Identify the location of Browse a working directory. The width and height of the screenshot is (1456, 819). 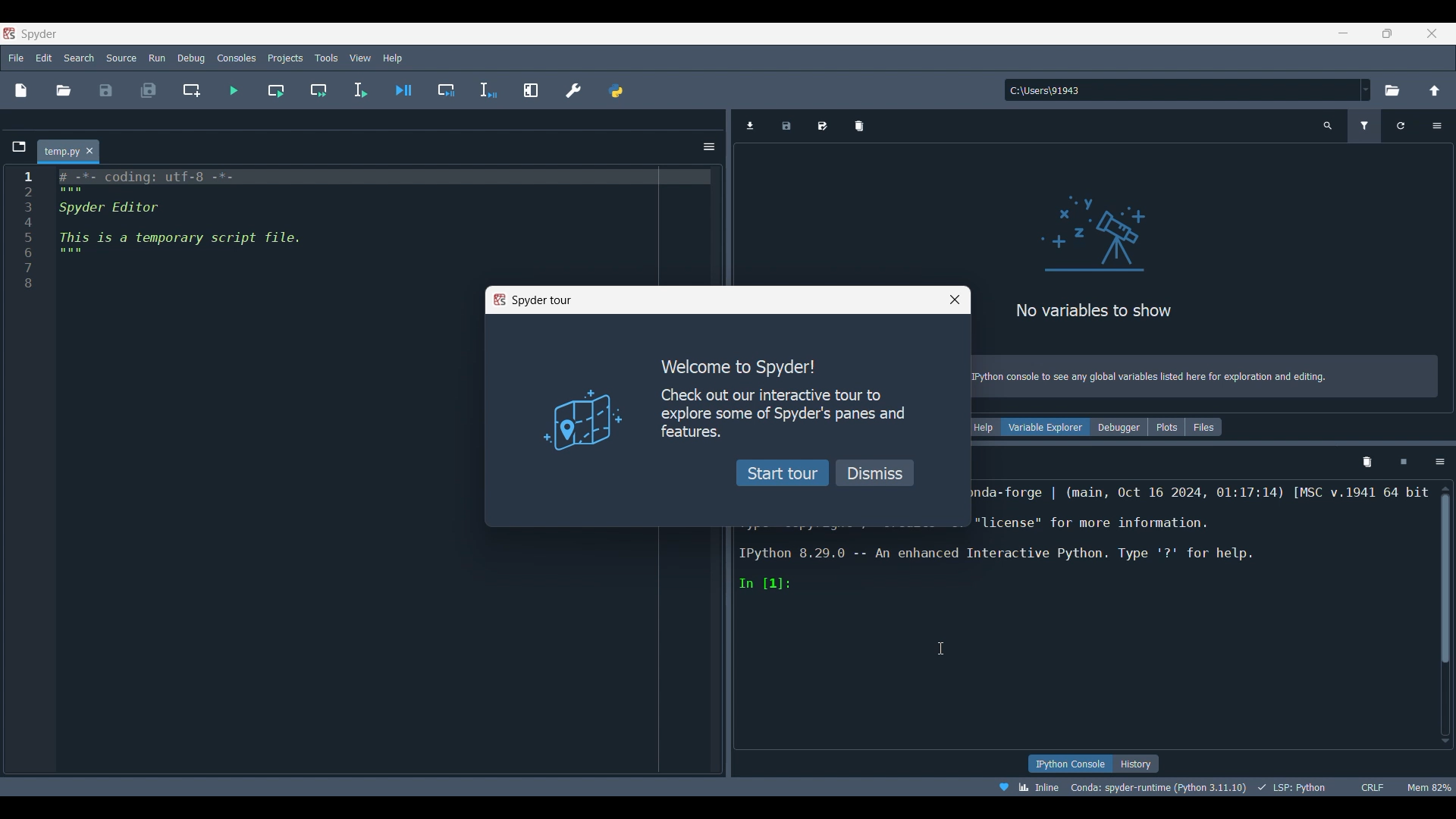
(1392, 90).